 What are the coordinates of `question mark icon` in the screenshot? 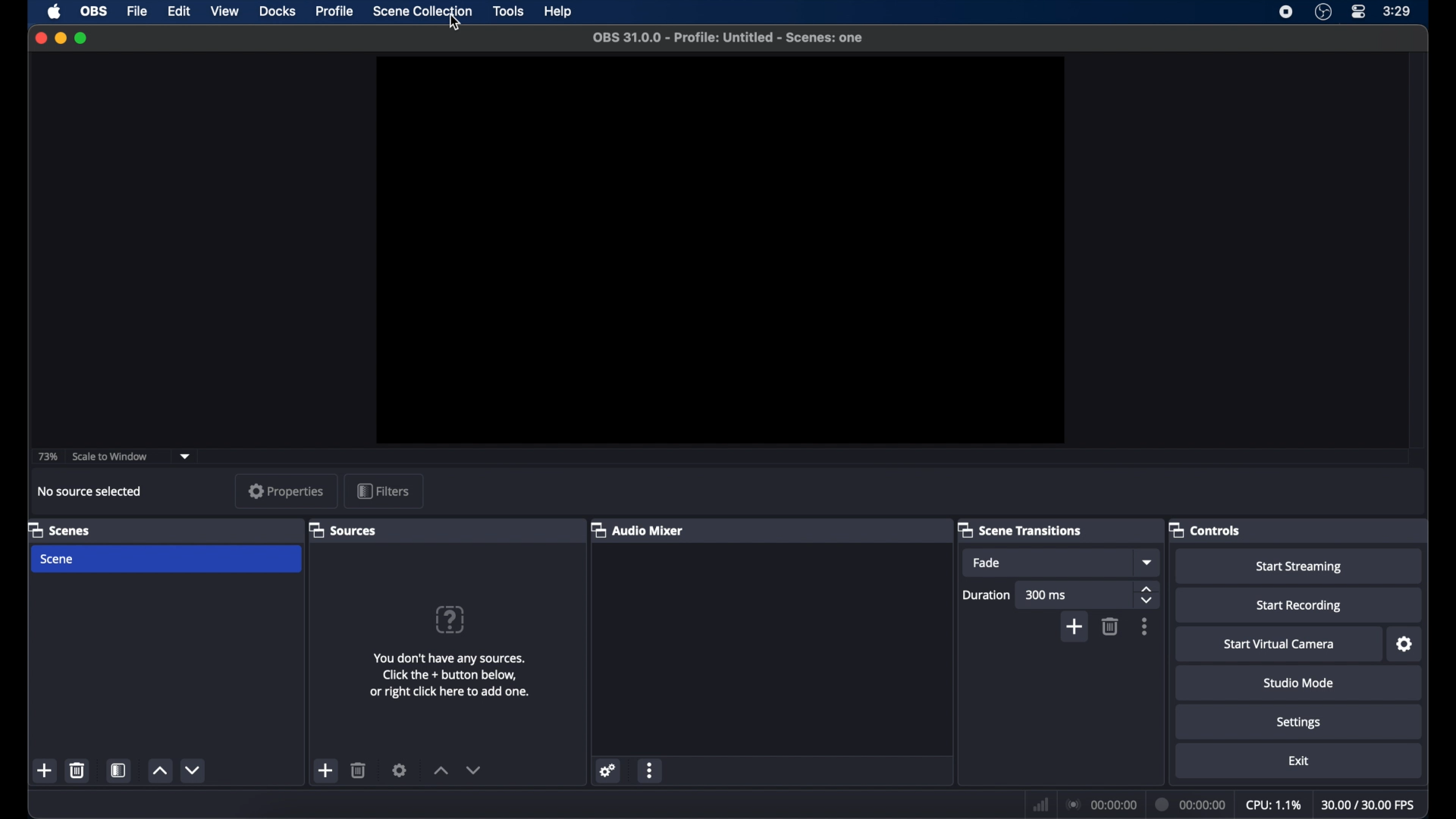 It's located at (451, 620).